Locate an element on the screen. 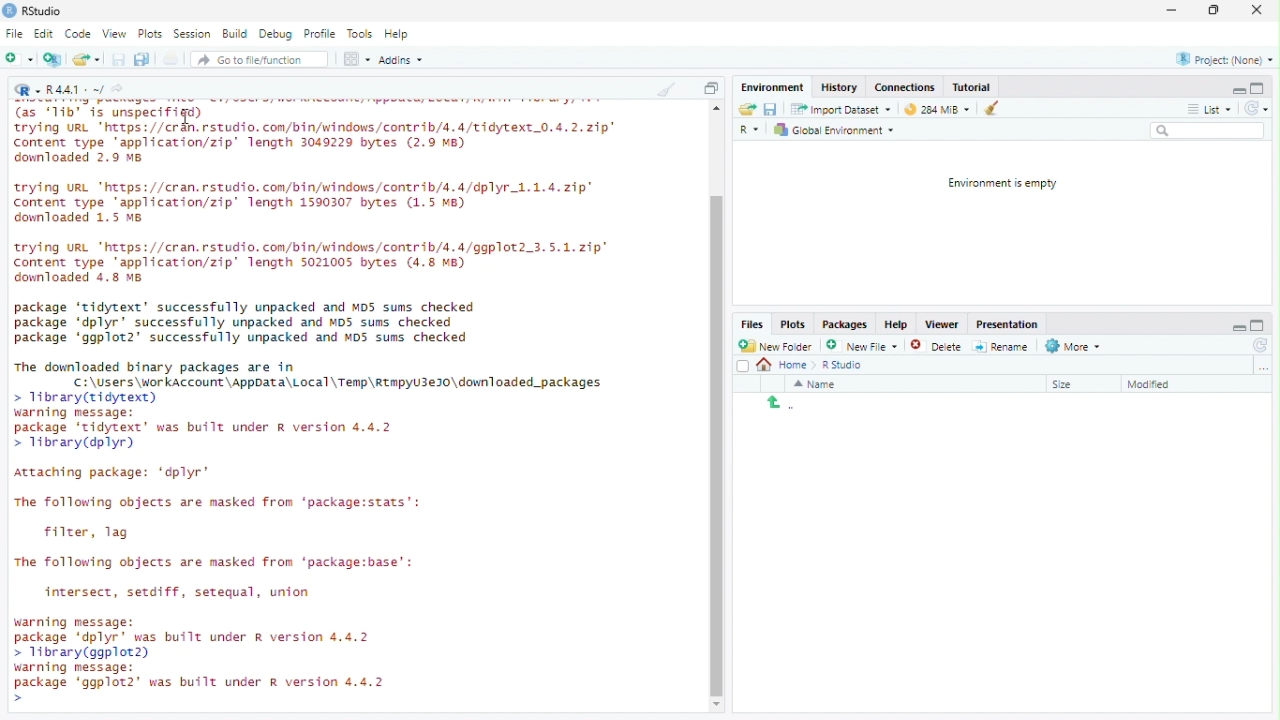 The width and height of the screenshot is (1280, 720). Scroll is located at coordinates (716, 408).